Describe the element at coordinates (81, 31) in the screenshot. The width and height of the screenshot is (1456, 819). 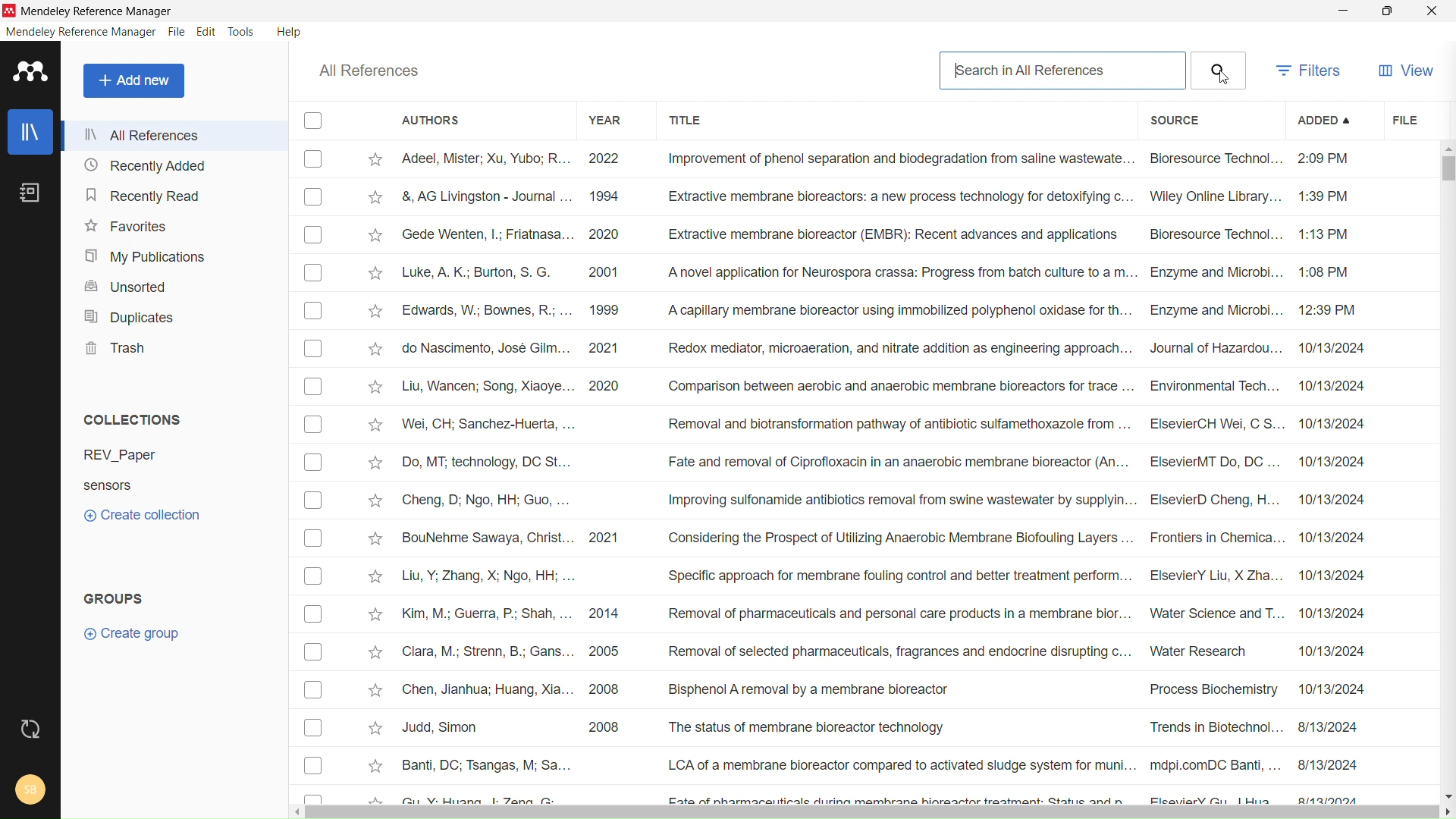
I see `mendeley reference manager` at that location.